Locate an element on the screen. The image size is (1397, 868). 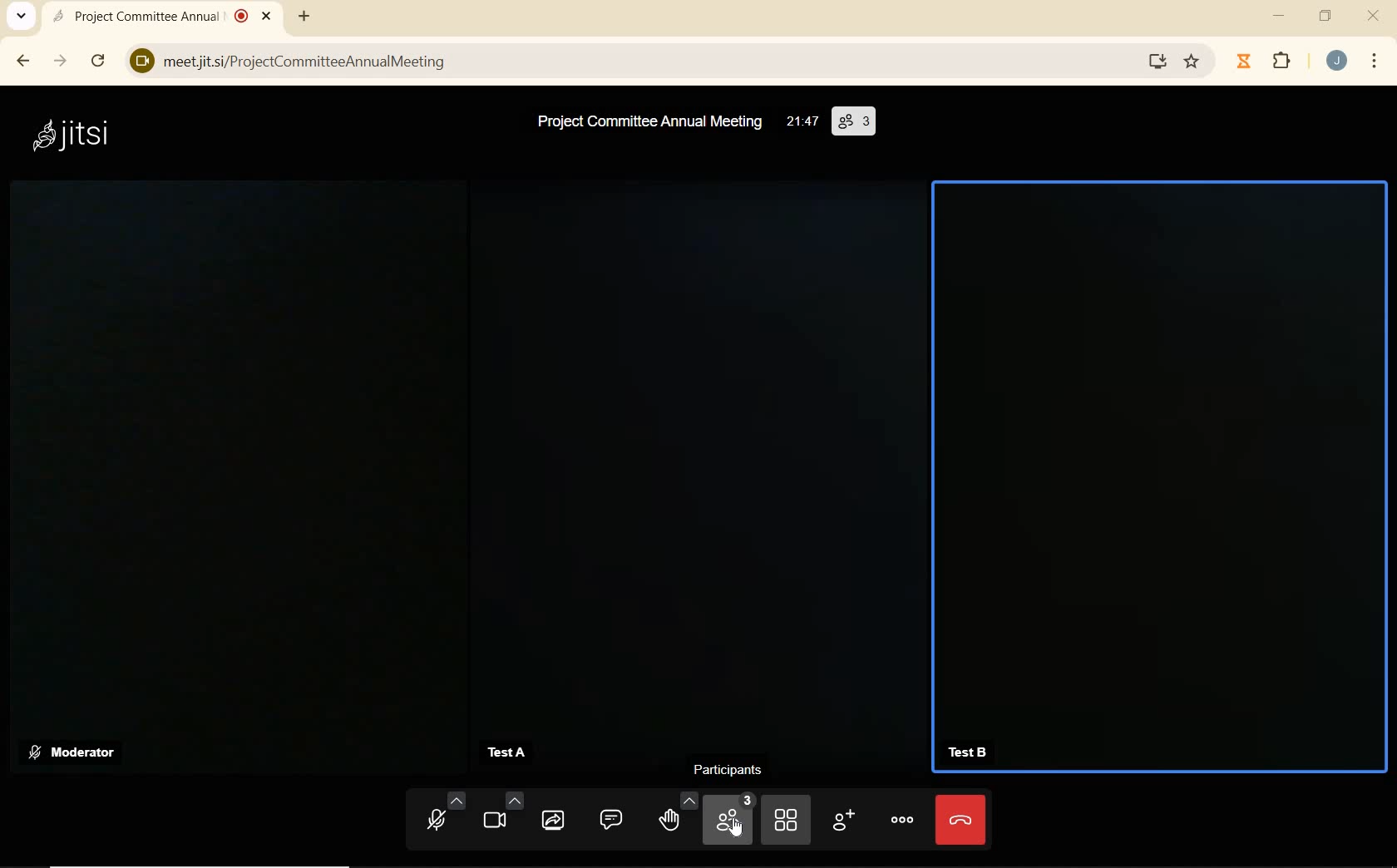
CHAT is located at coordinates (605, 820).